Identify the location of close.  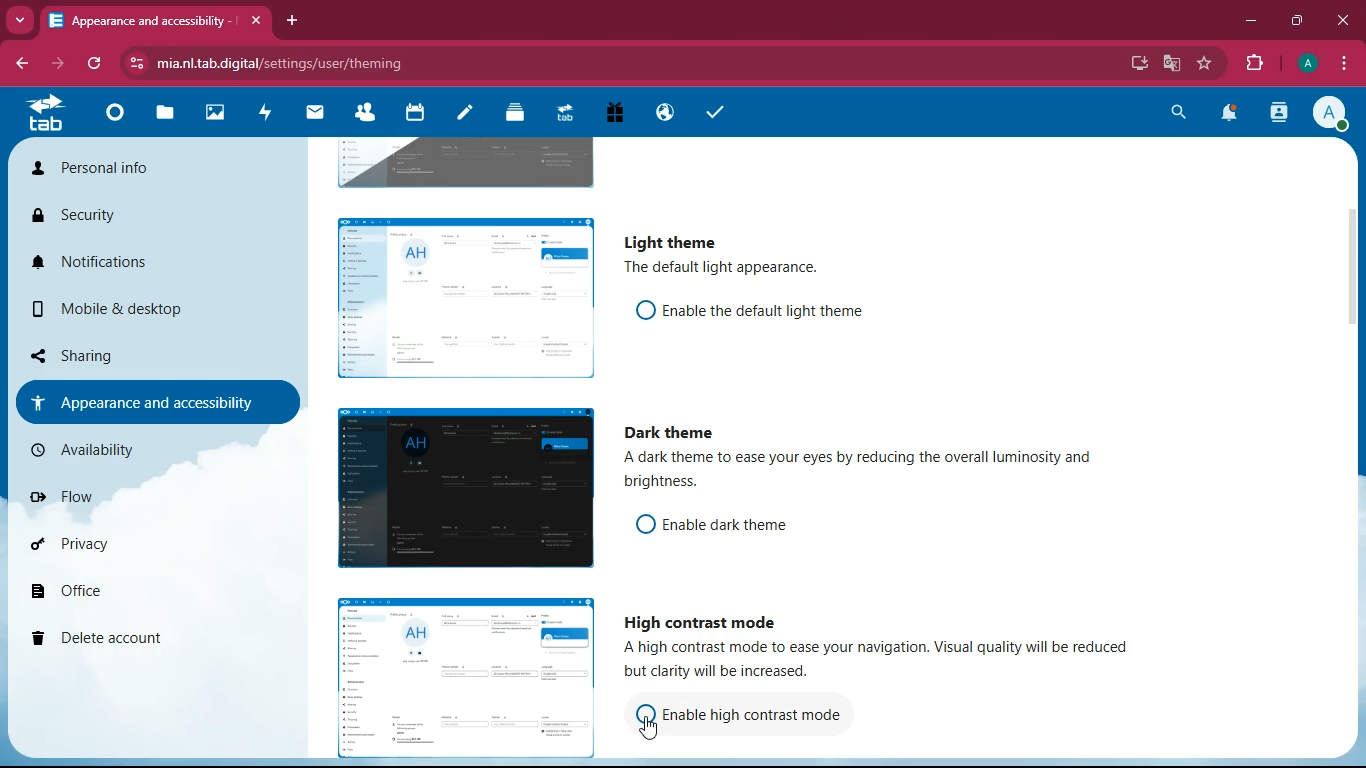
(252, 16).